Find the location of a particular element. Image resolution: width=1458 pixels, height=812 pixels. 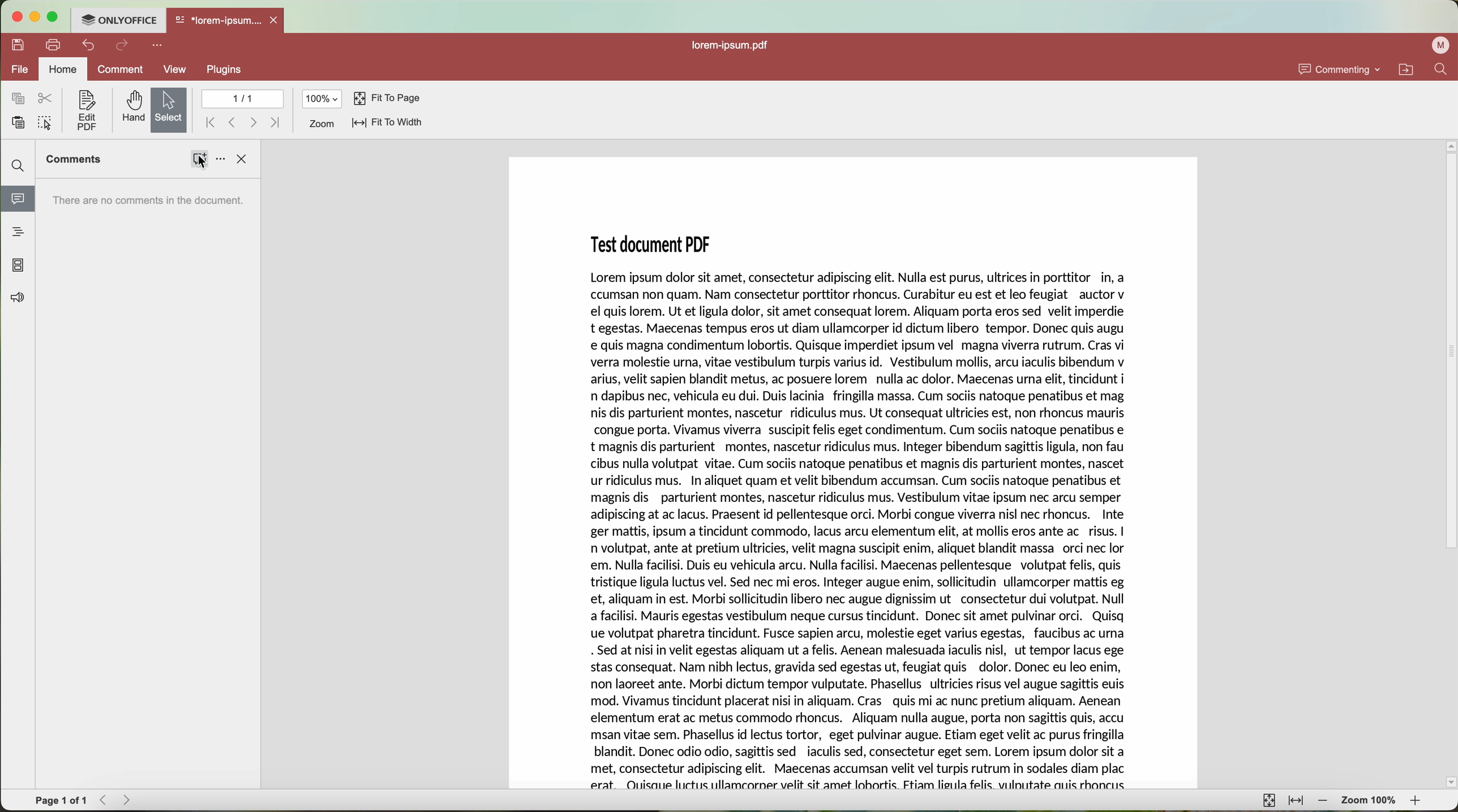

ONLYOFFICE is located at coordinates (118, 20).